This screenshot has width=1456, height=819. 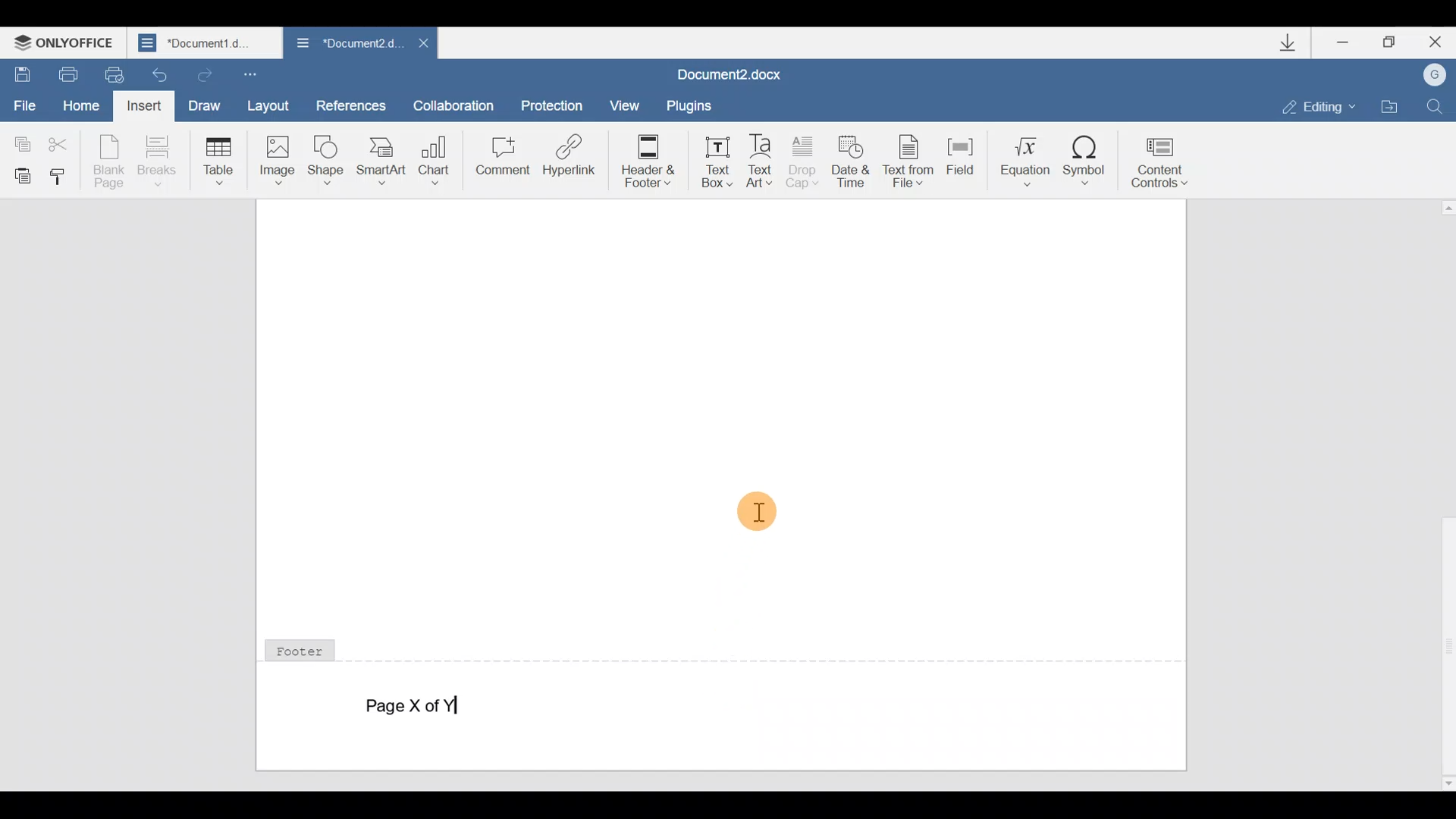 What do you see at coordinates (437, 155) in the screenshot?
I see `Chart` at bounding box center [437, 155].